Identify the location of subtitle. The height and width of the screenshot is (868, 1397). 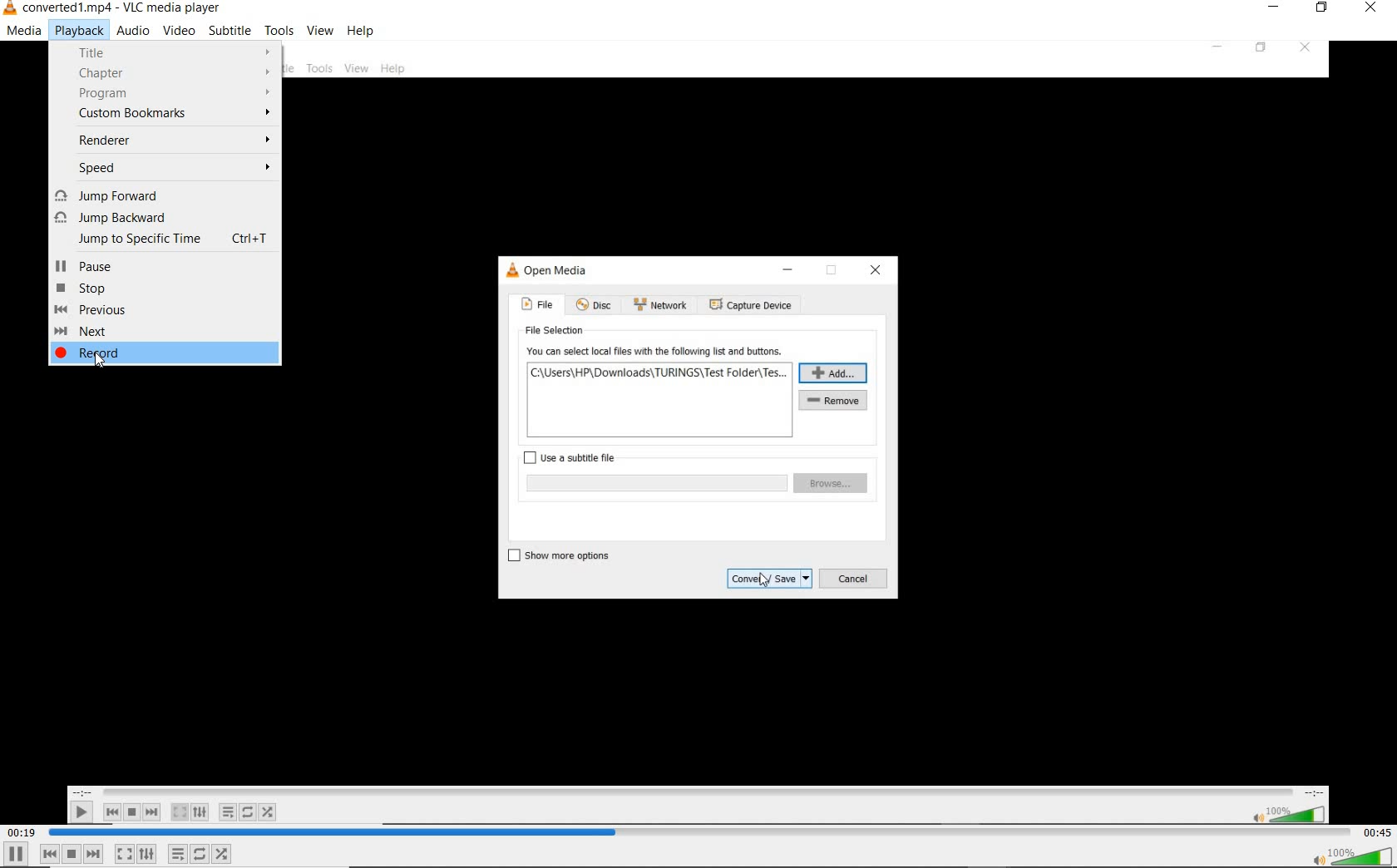
(231, 30).